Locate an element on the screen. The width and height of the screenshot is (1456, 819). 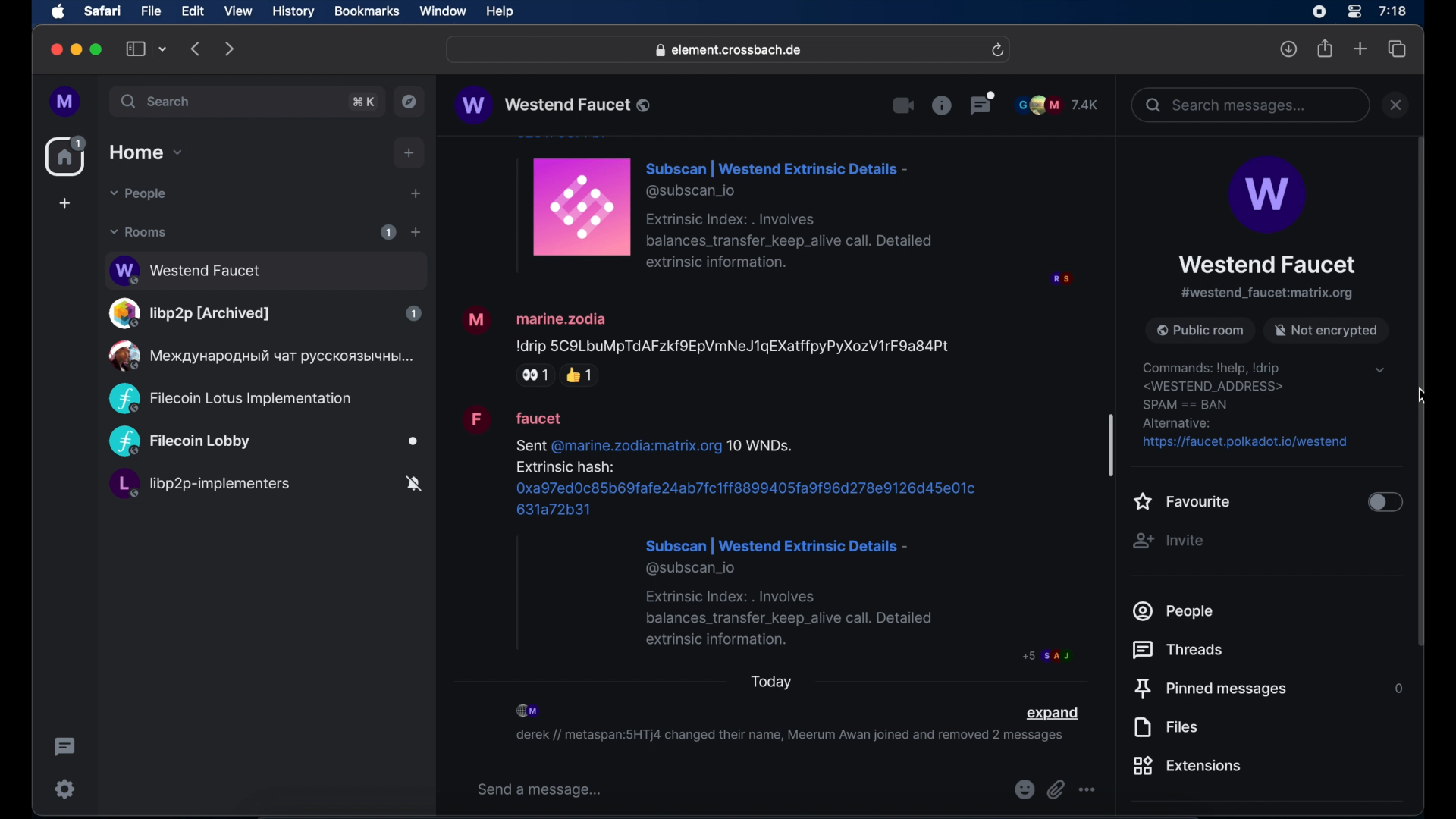
apple icon is located at coordinates (58, 12).